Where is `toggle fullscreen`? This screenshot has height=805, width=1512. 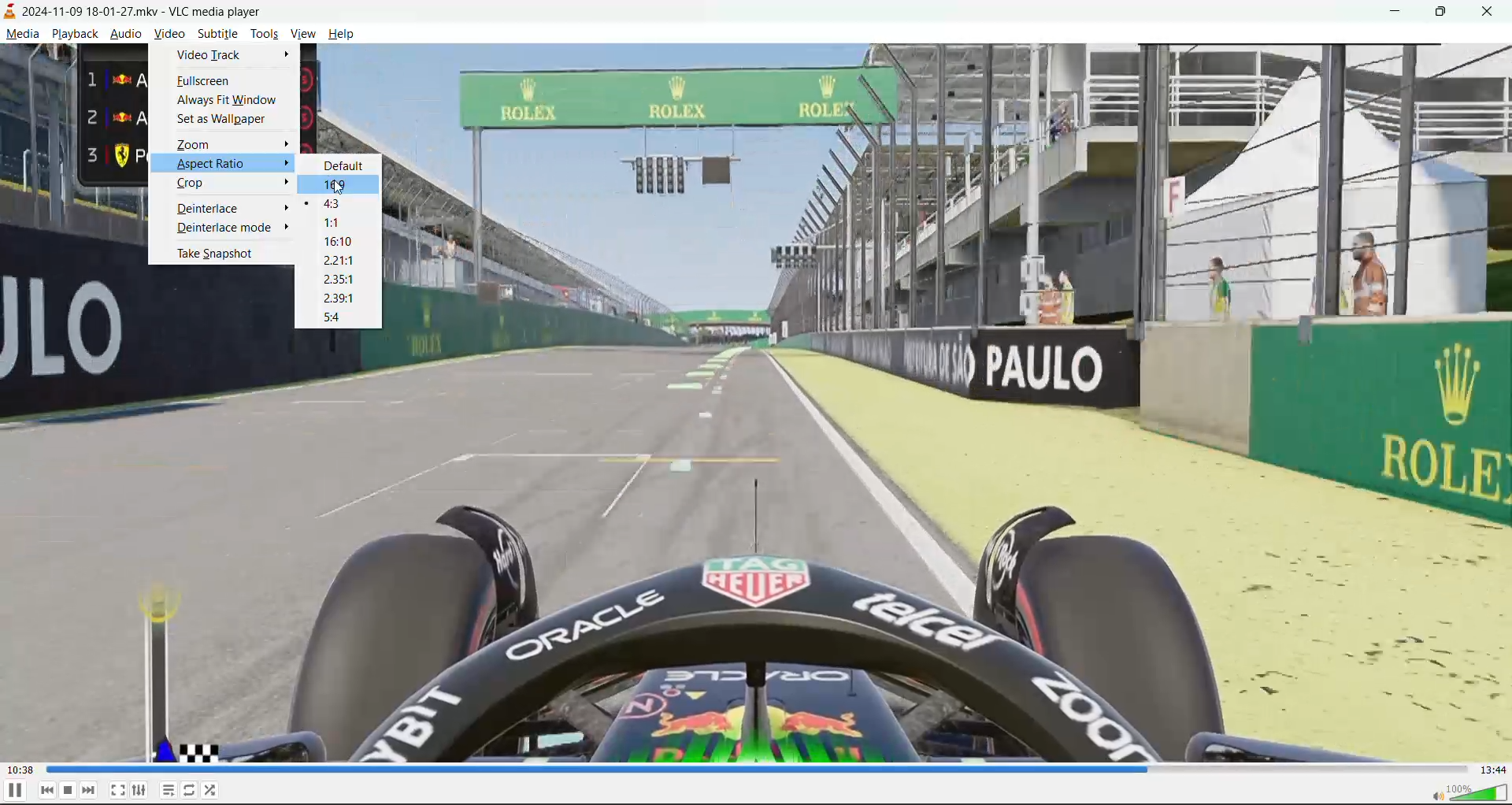 toggle fullscreen is located at coordinates (117, 788).